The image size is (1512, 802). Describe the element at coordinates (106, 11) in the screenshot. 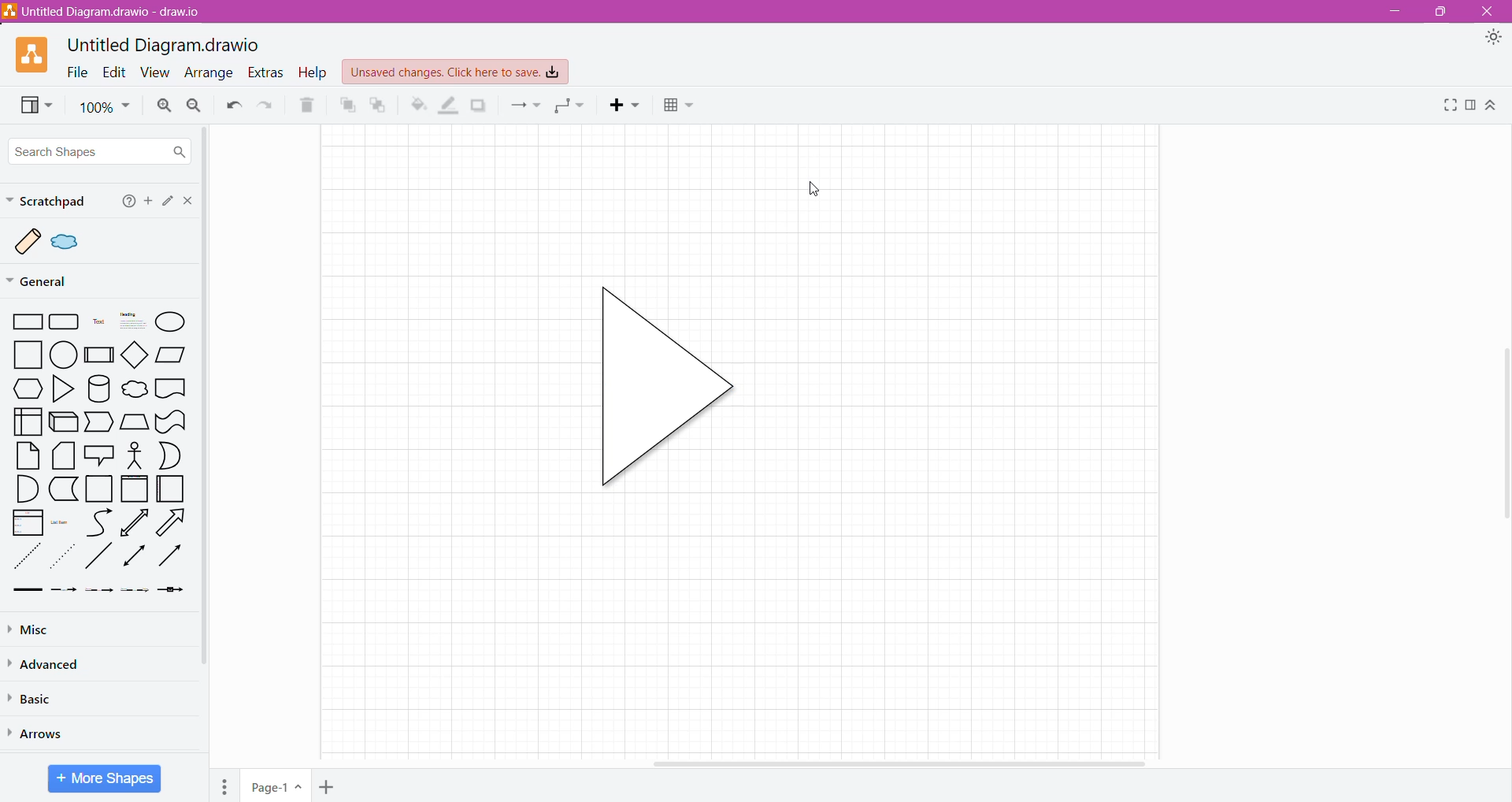

I see `Untitled Diagram.draw.io - draw.io` at that location.